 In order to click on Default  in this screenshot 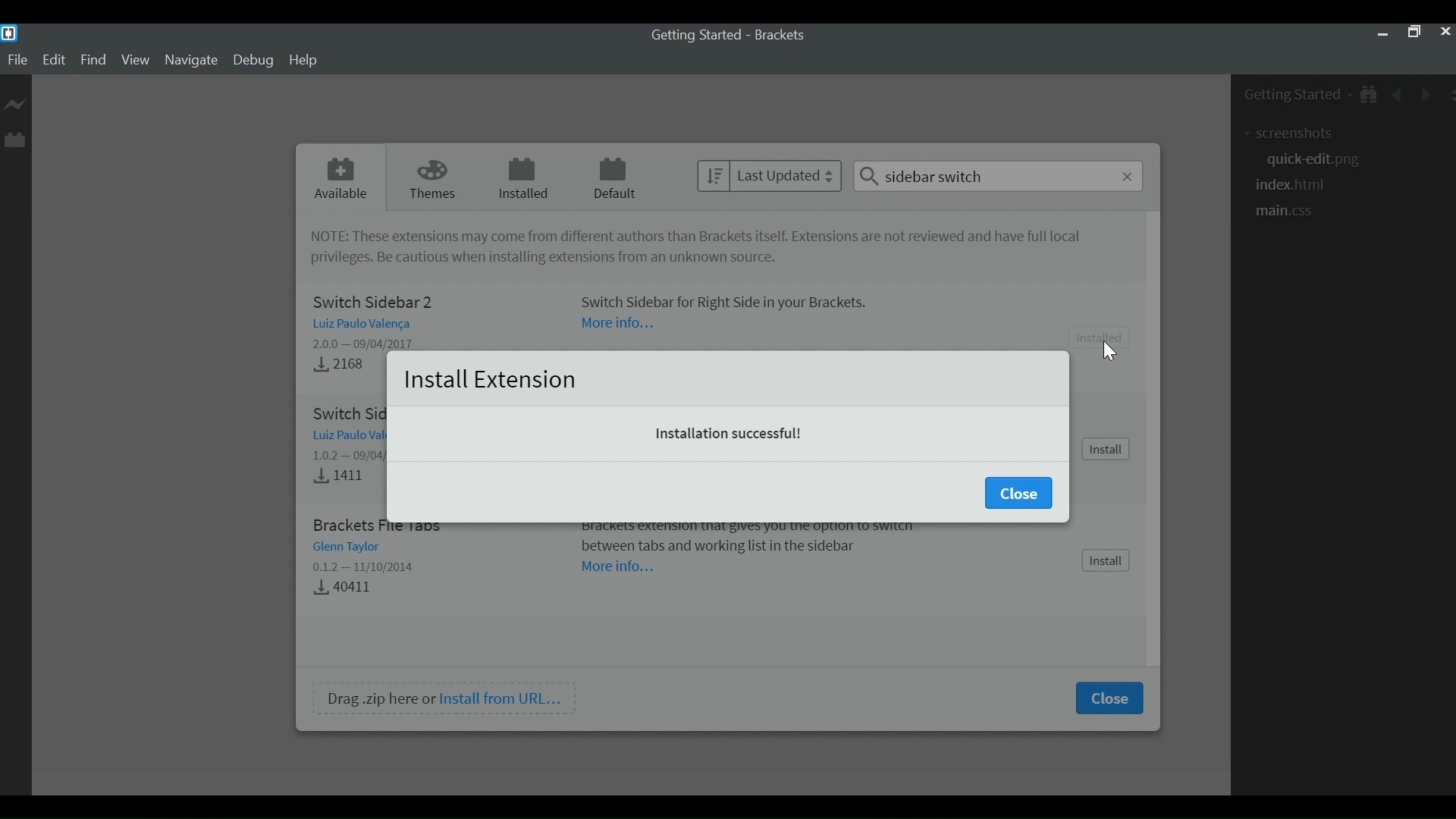, I will do `click(616, 180)`.